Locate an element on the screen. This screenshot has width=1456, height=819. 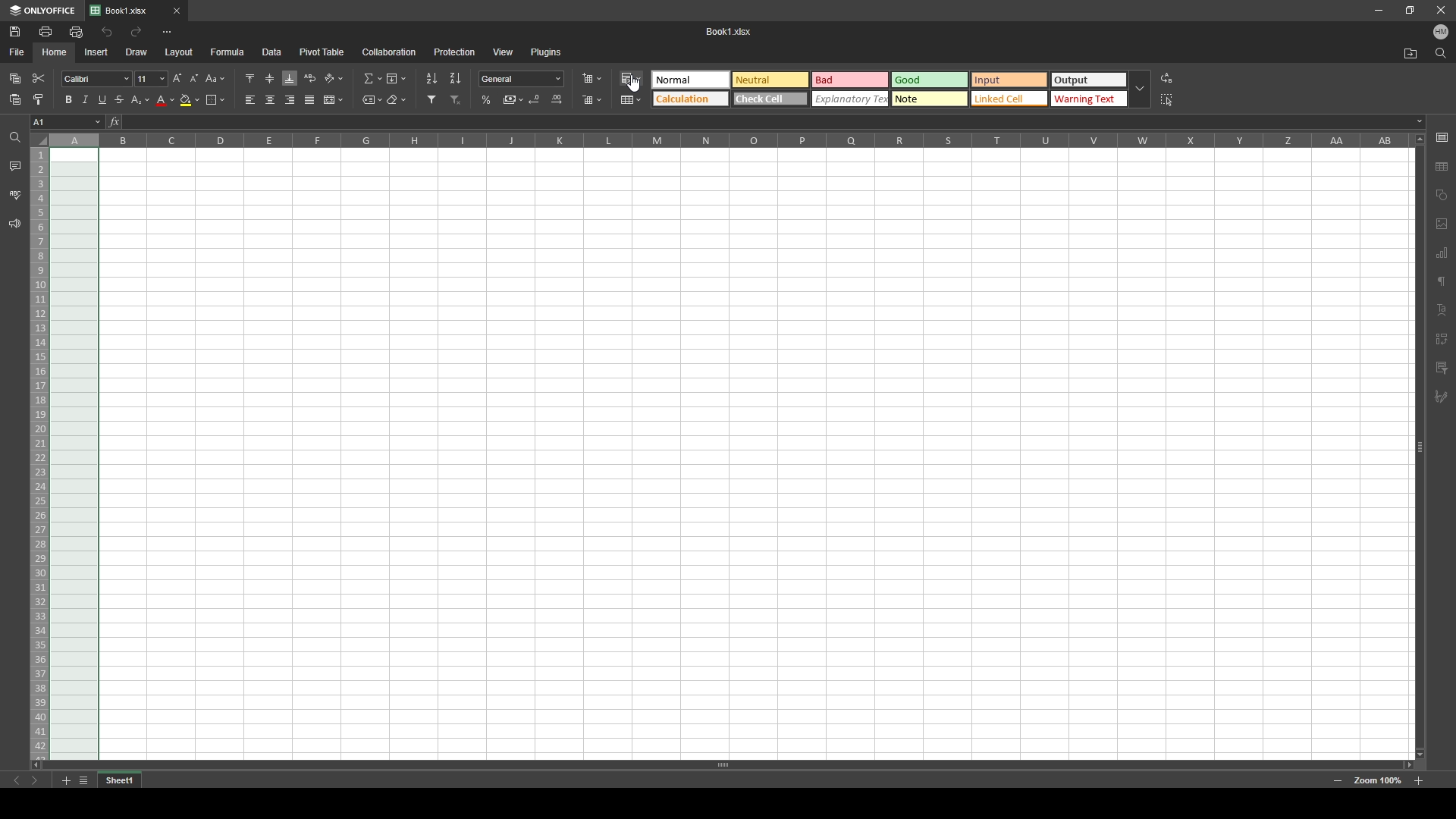
filter is located at coordinates (432, 99).